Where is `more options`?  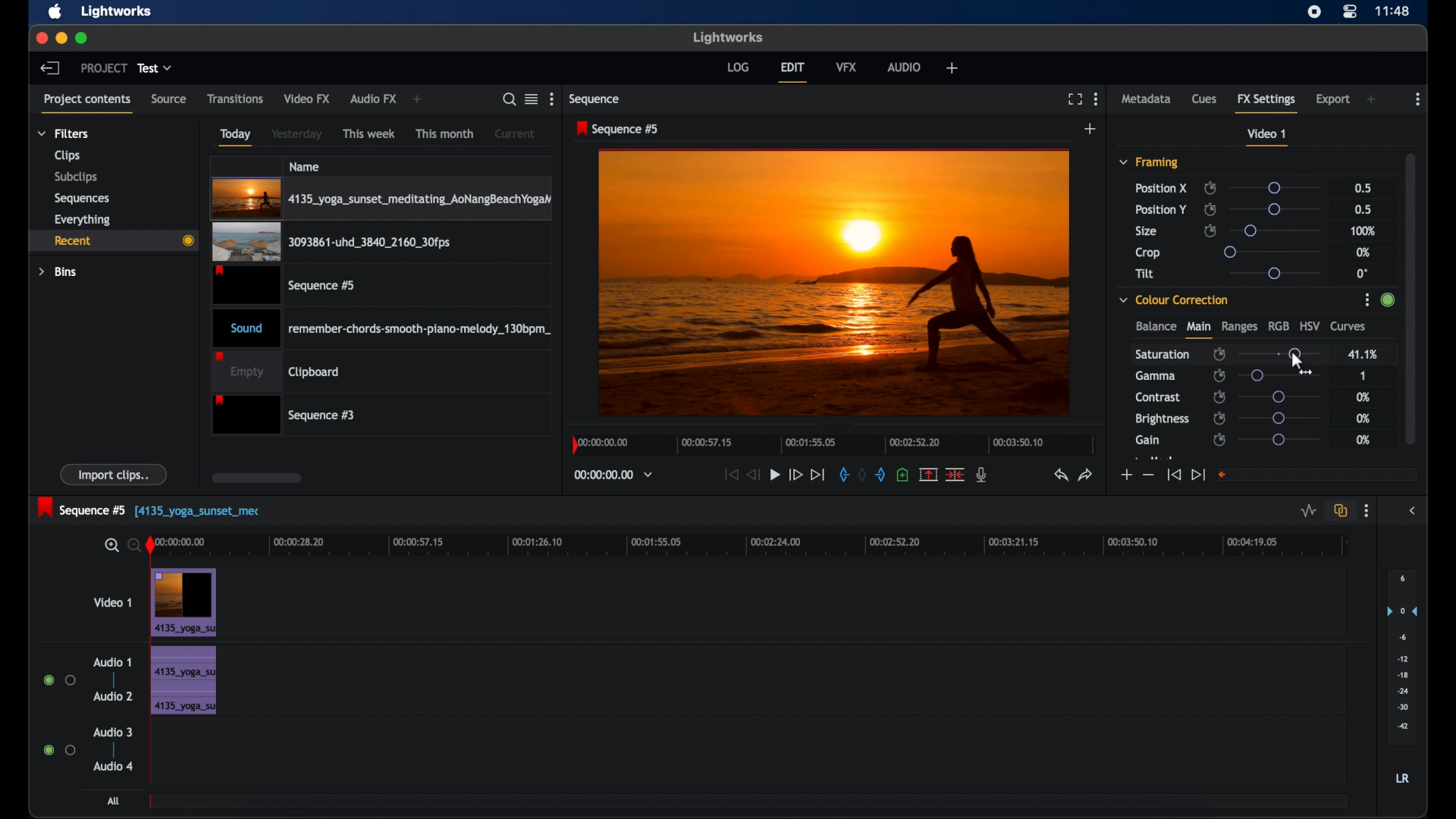
more options is located at coordinates (1096, 99).